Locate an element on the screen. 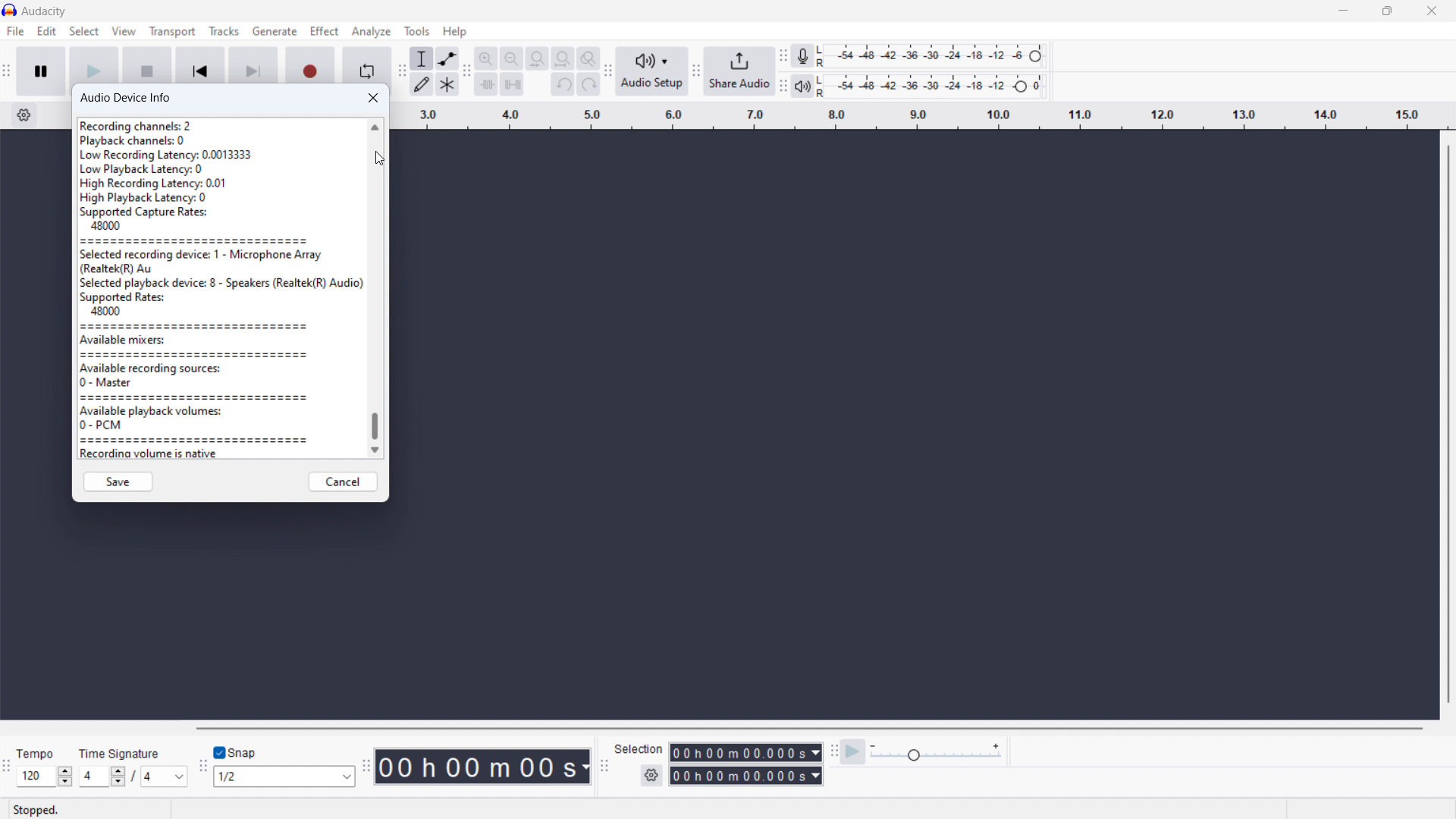  scroll down is located at coordinates (375, 450).